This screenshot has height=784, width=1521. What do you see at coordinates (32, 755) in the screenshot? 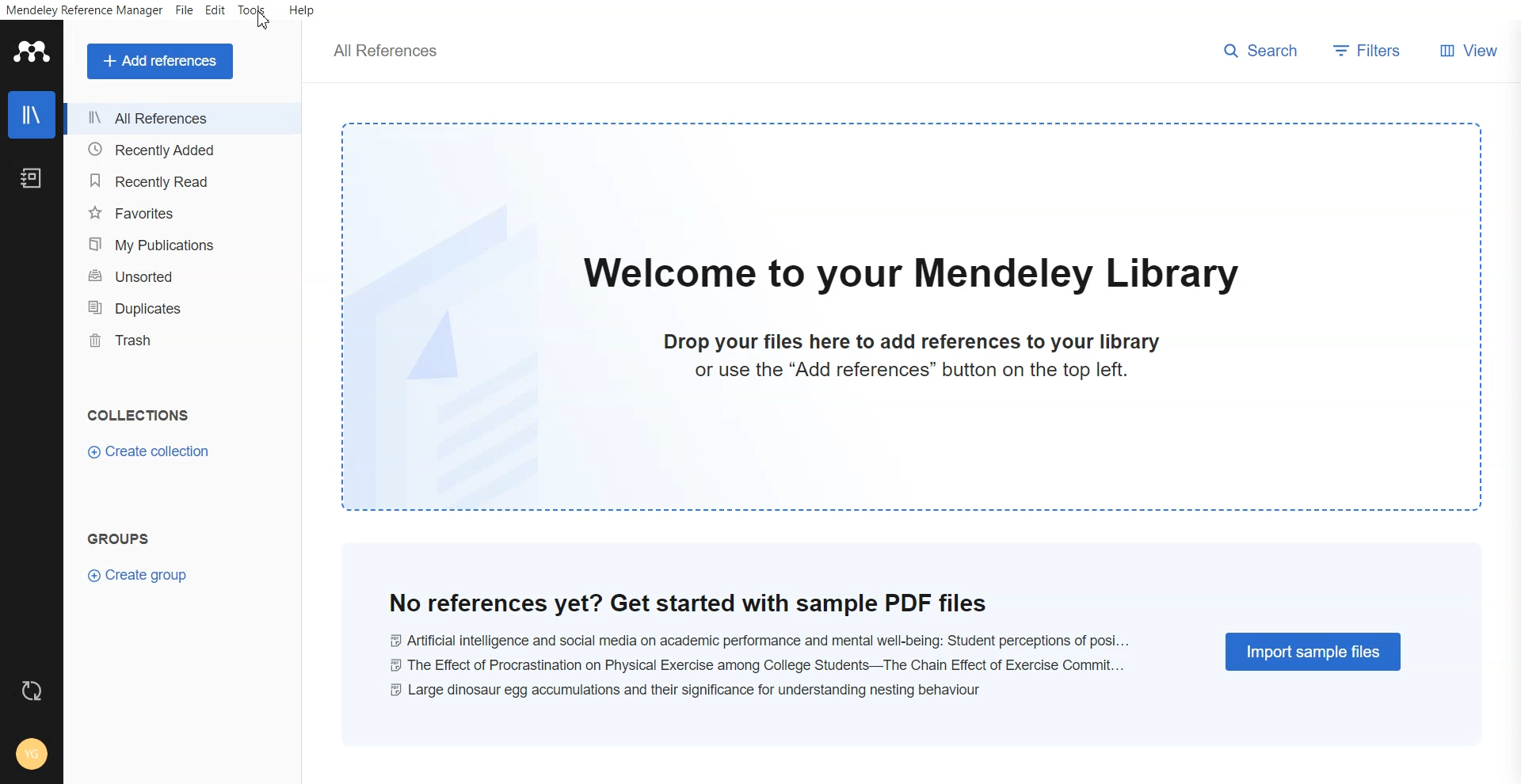
I see `Account` at bounding box center [32, 755].